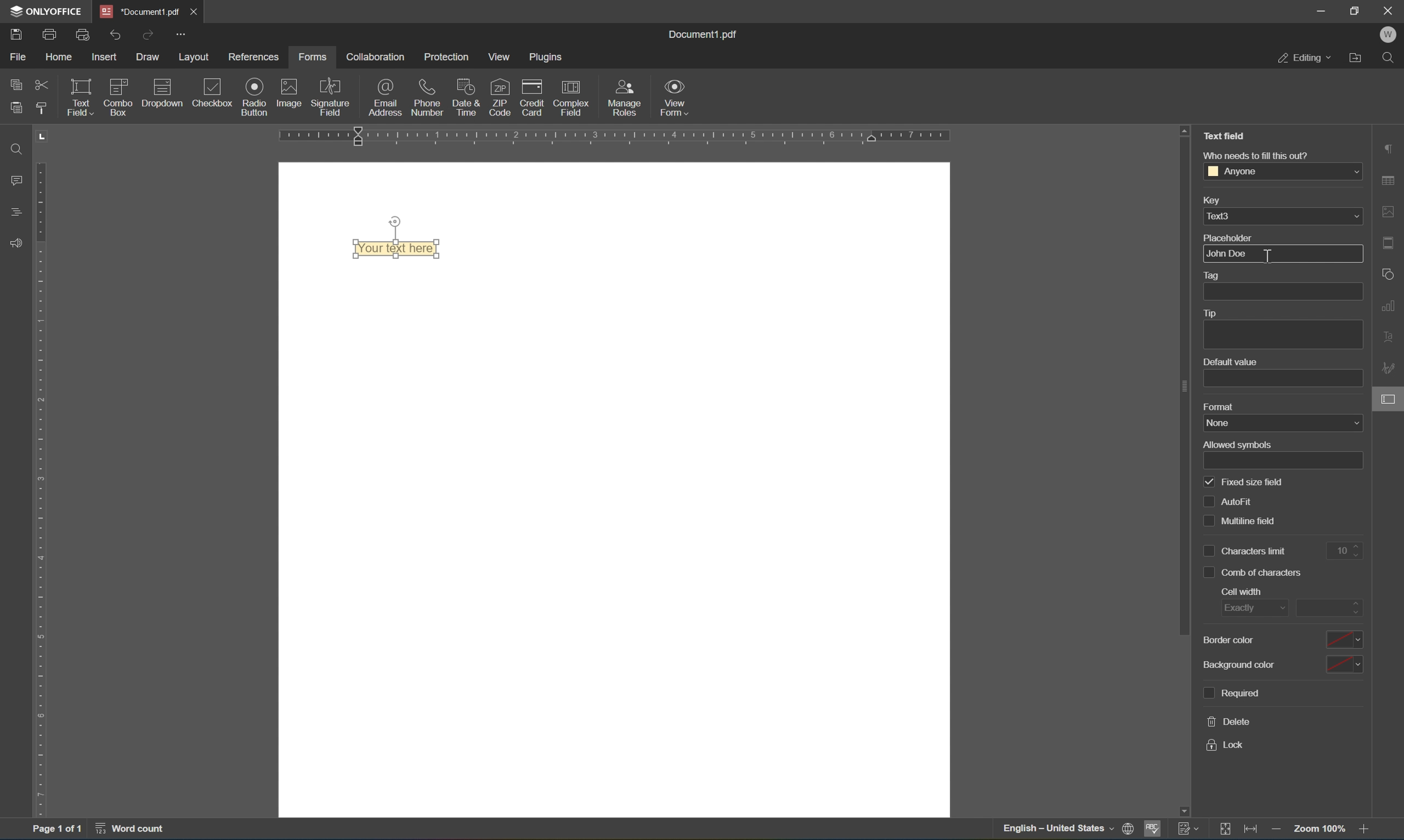  What do you see at coordinates (195, 57) in the screenshot?
I see `layout` at bounding box center [195, 57].